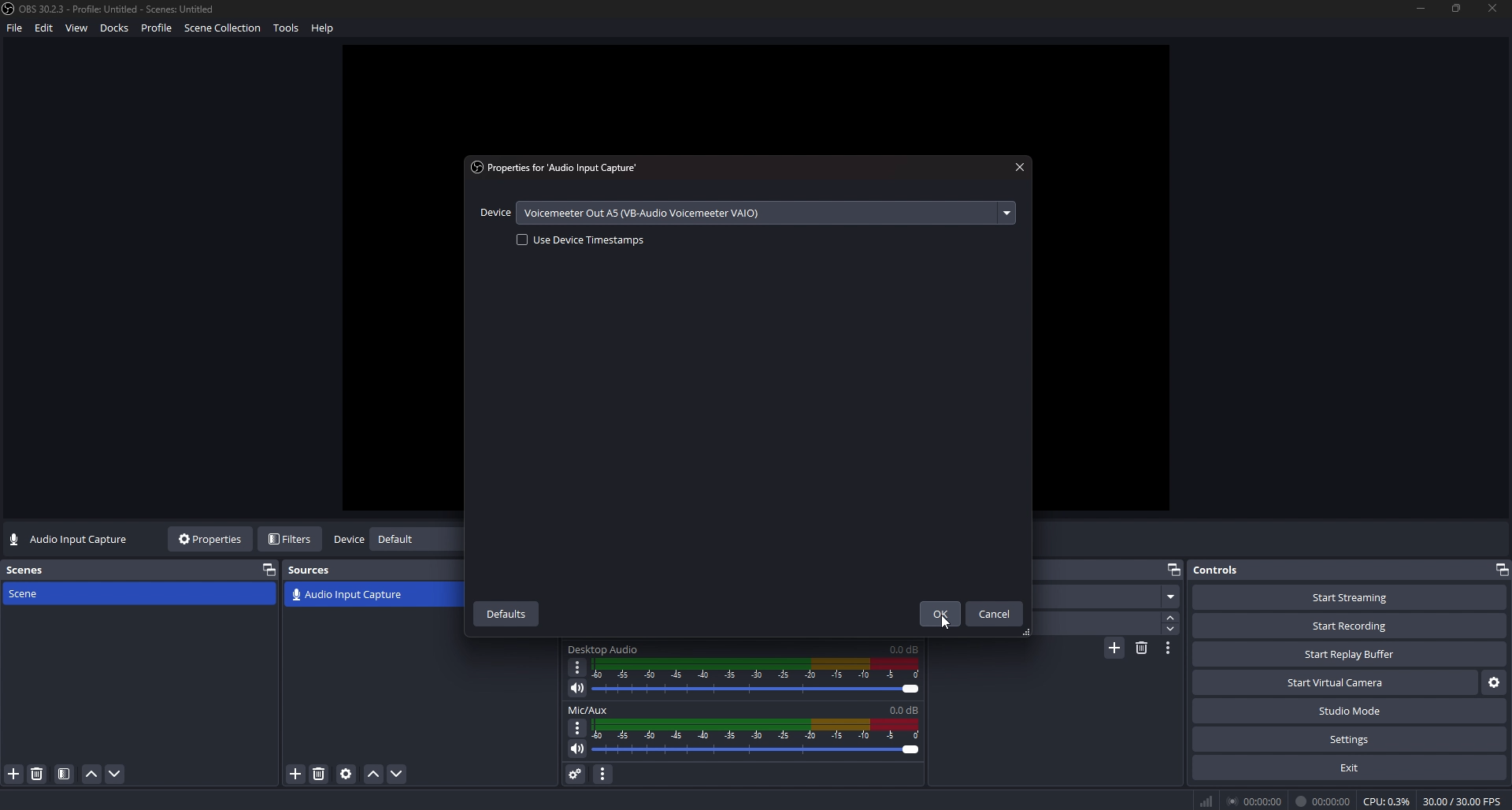 This screenshot has height=810, width=1512. What do you see at coordinates (507, 613) in the screenshot?
I see `defaults` at bounding box center [507, 613].